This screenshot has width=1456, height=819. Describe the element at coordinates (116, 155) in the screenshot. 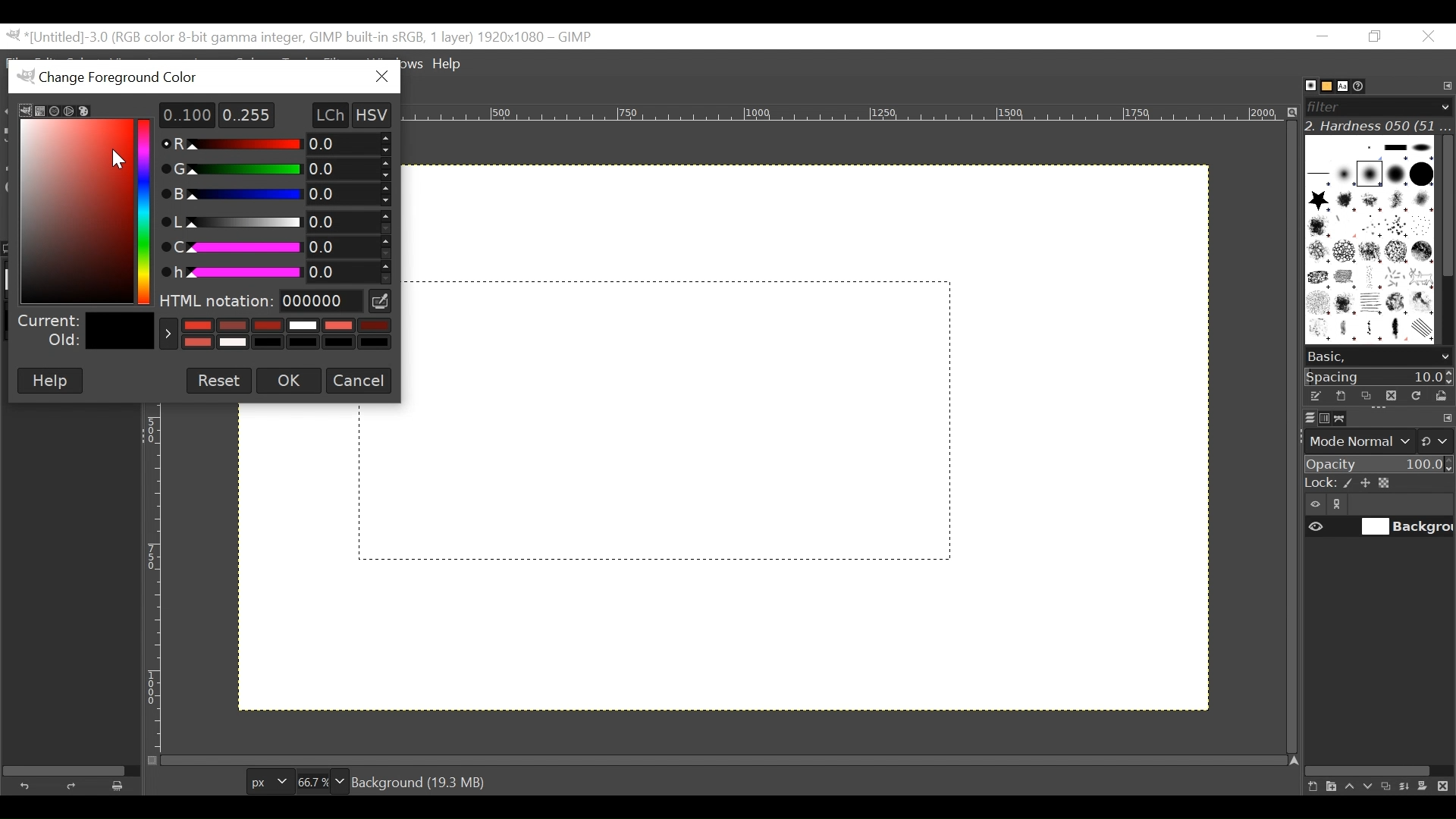

I see `Cursor` at that location.